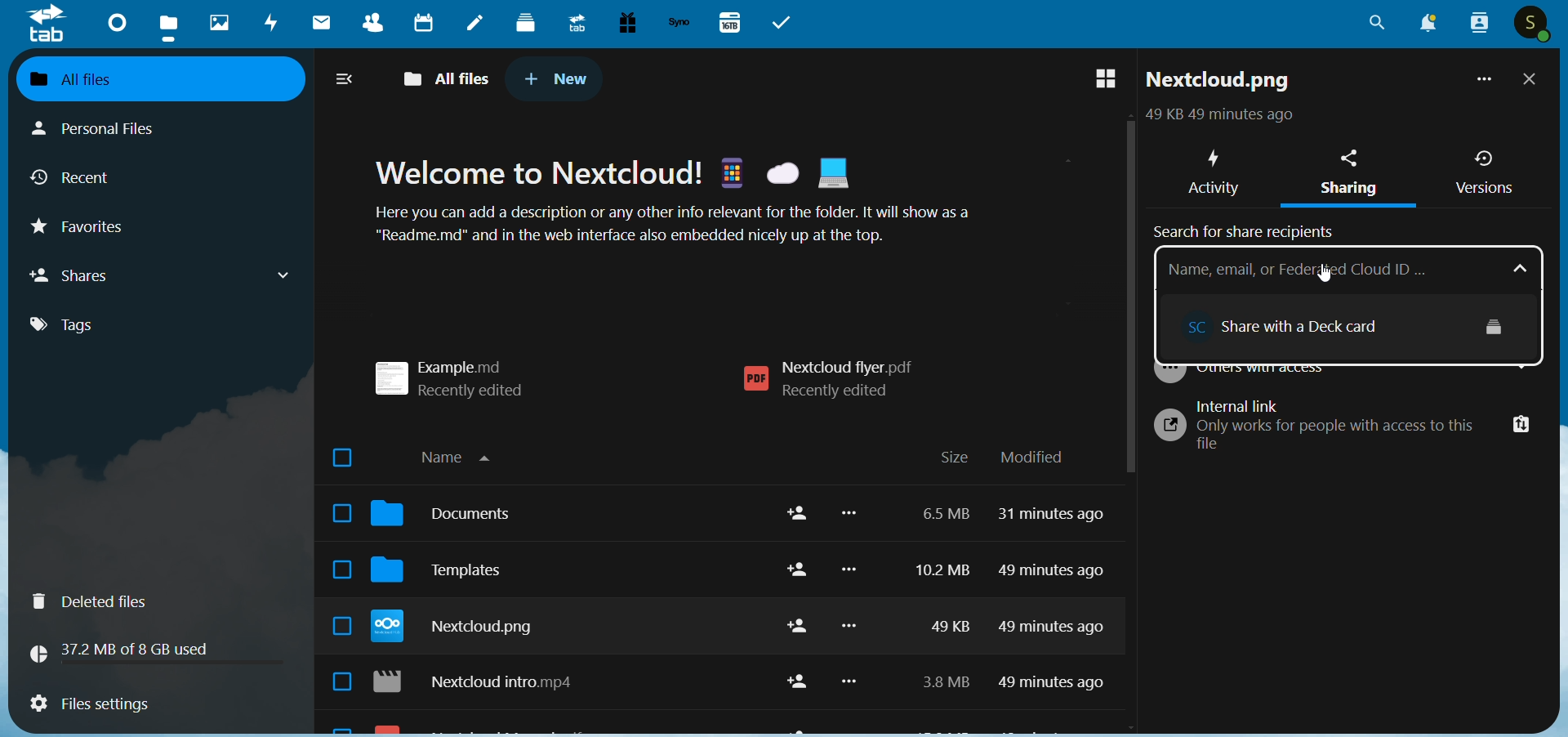 The image size is (1568, 737). What do you see at coordinates (1530, 81) in the screenshot?
I see `close pane` at bounding box center [1530, 81].